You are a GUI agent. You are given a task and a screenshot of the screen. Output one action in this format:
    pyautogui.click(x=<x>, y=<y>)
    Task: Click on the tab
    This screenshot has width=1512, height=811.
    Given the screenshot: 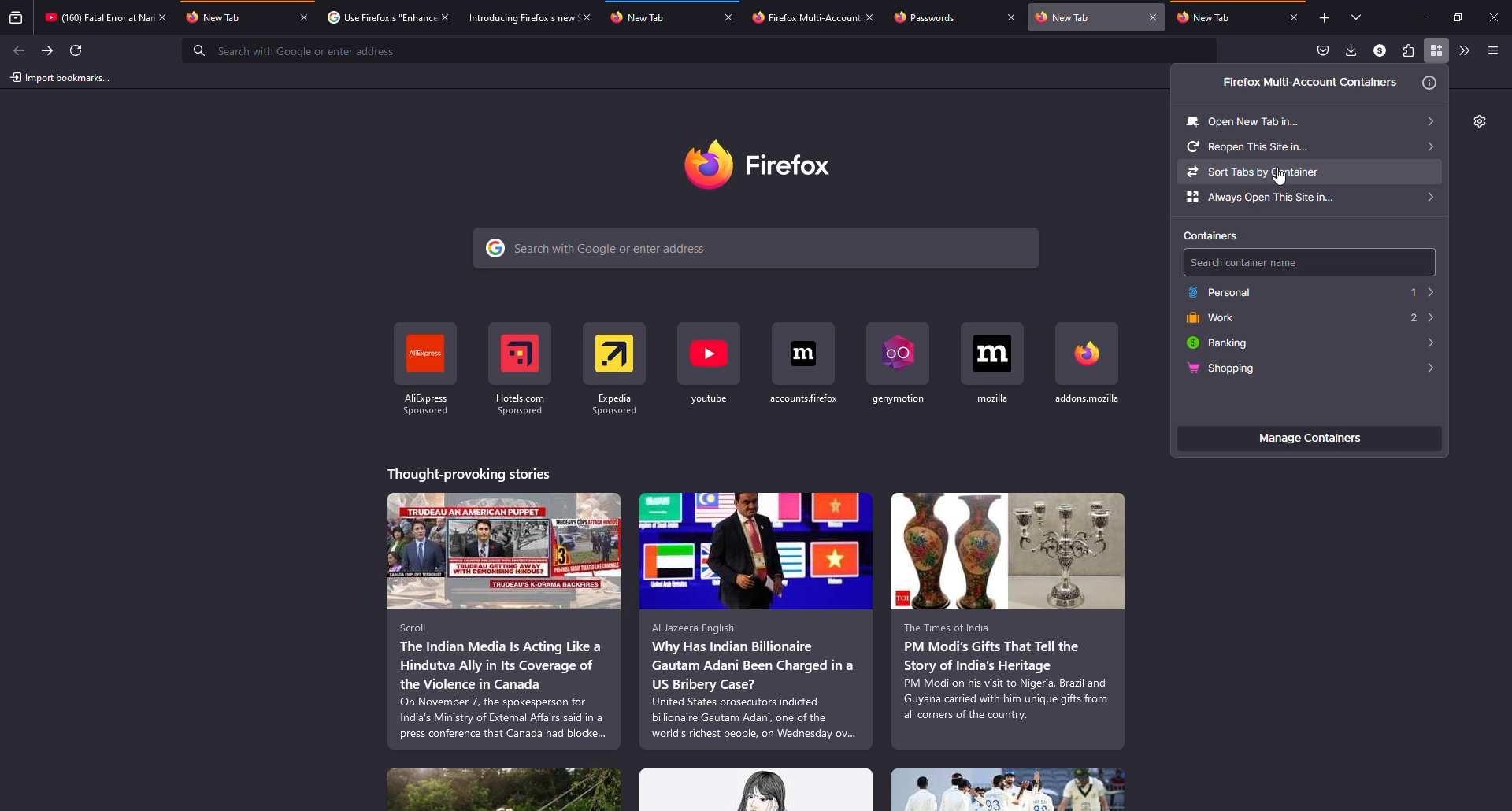 What is the action you would take?
    pyautogui.click(x=940, y=18)
    